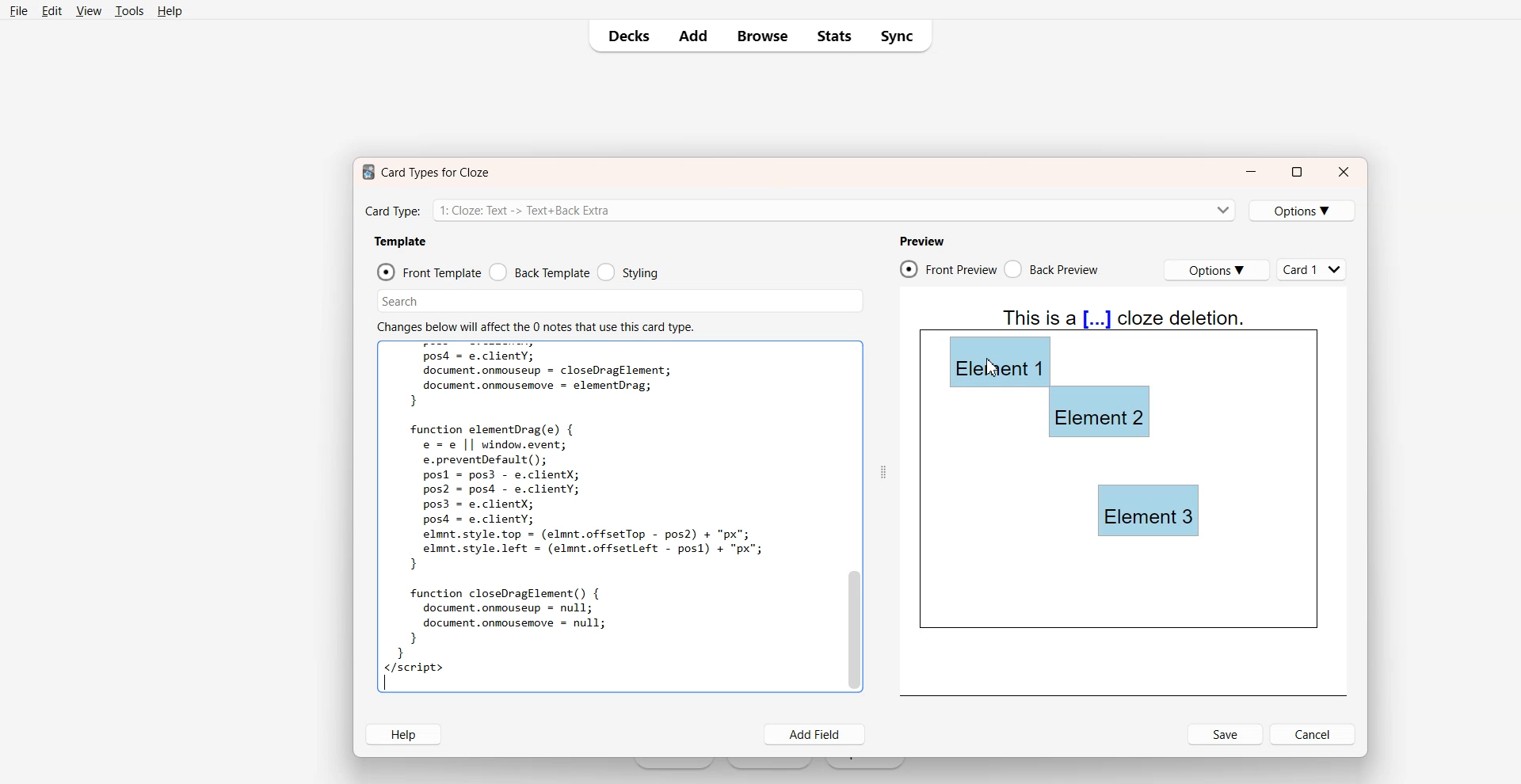 Image resolution: width=1521 pixels, height=784 pixels. Describe the element at coordinates (627, 272) in the screenshot. I see `Styling` at that location.